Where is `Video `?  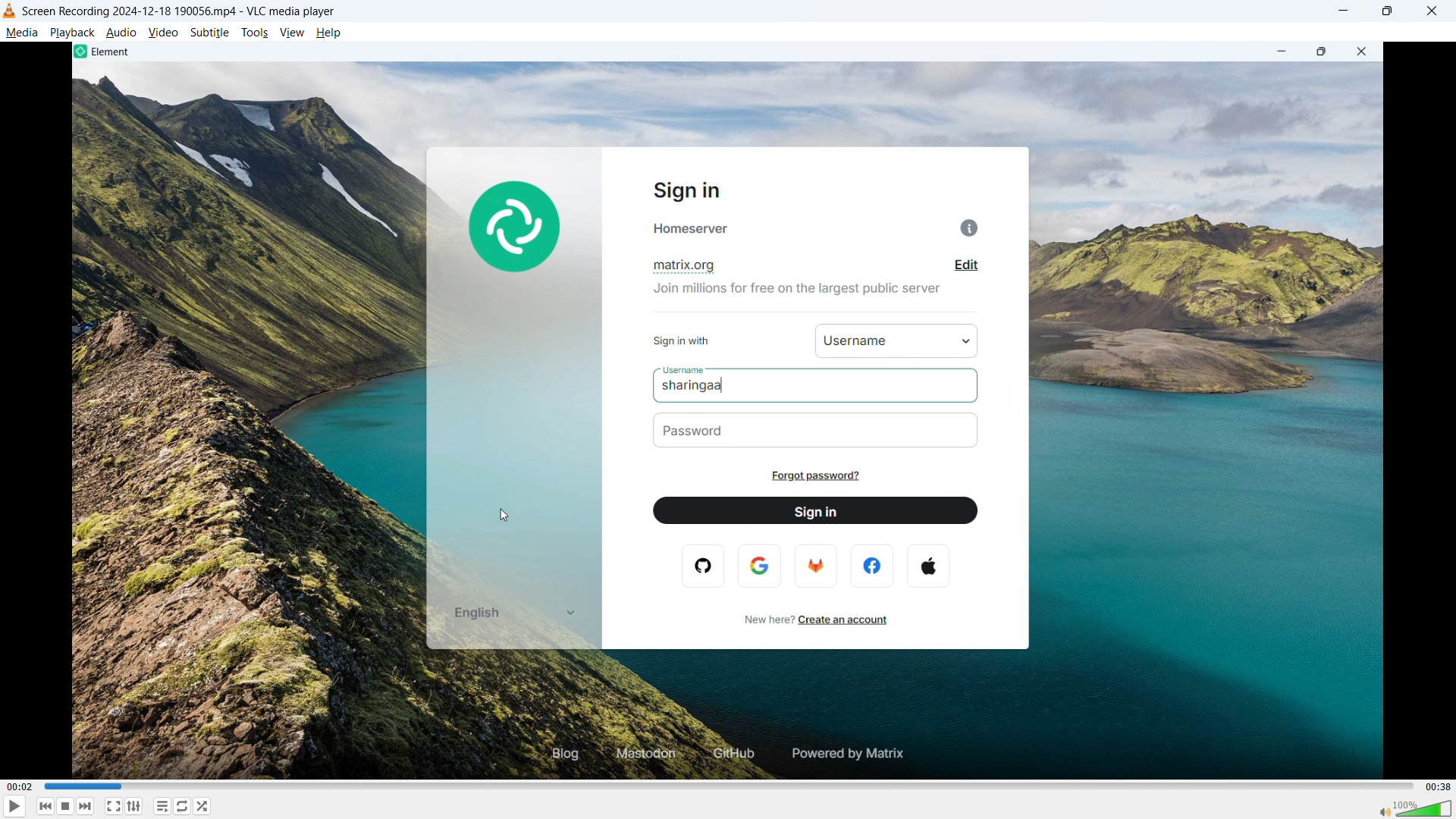
Video  is located at coordinates (164, 33).